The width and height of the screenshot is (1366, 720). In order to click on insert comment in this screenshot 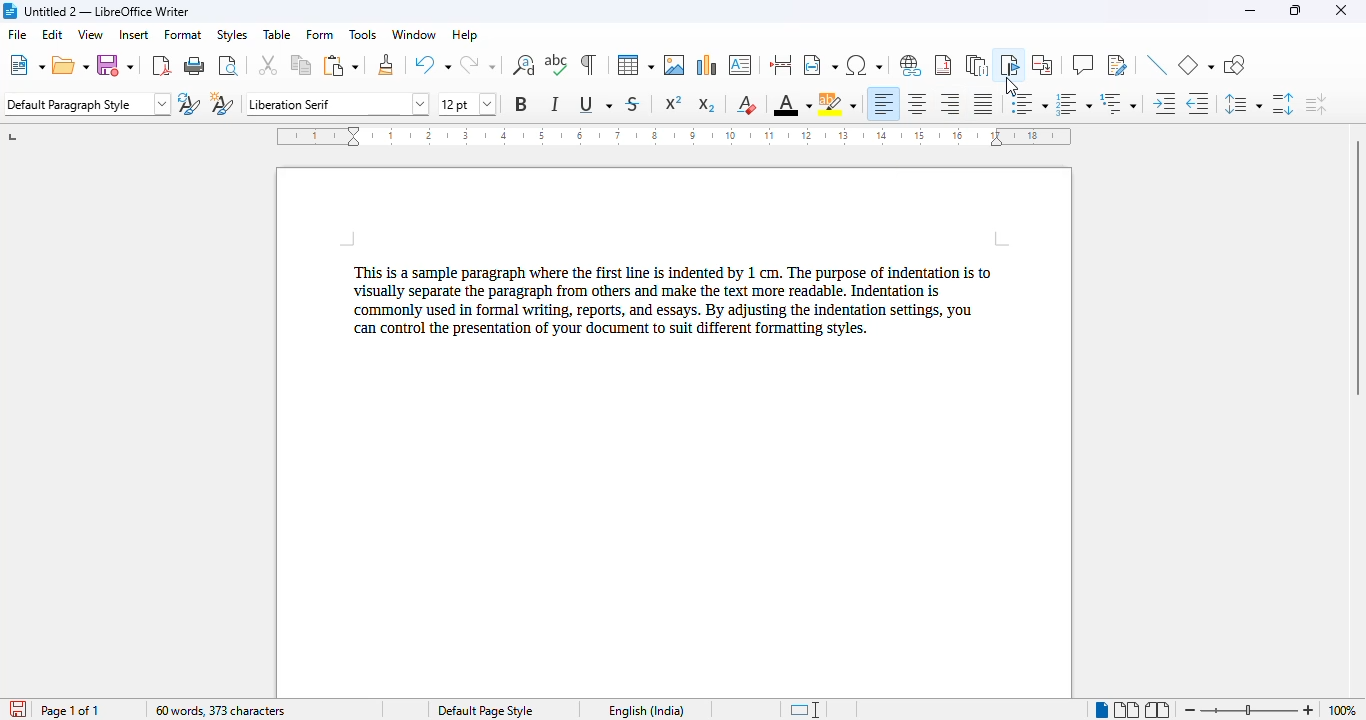, I will do `click(1083, 64)`.